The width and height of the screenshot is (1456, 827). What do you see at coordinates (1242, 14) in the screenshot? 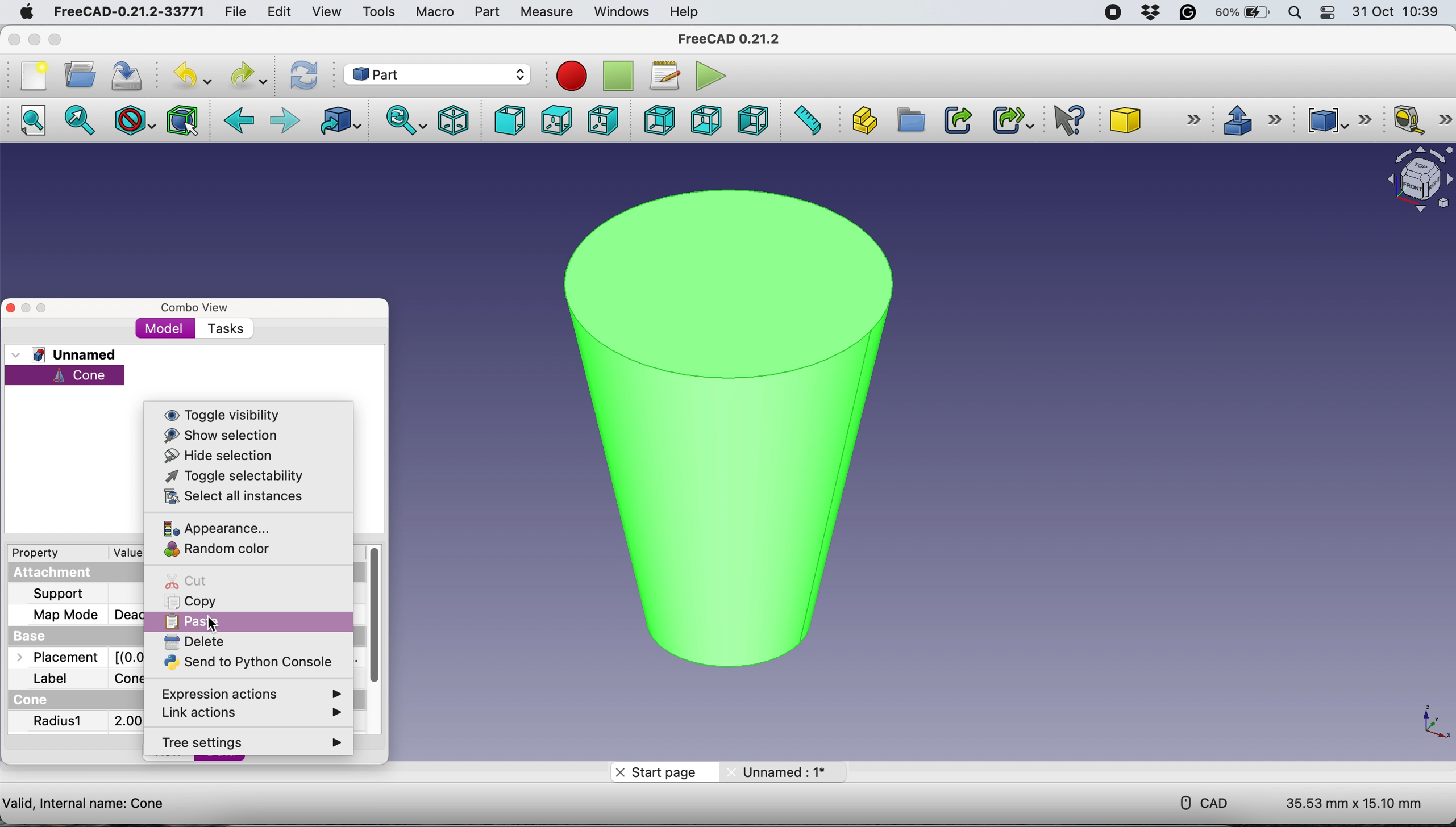
I see `60%` at bounding box center [1242, 14].